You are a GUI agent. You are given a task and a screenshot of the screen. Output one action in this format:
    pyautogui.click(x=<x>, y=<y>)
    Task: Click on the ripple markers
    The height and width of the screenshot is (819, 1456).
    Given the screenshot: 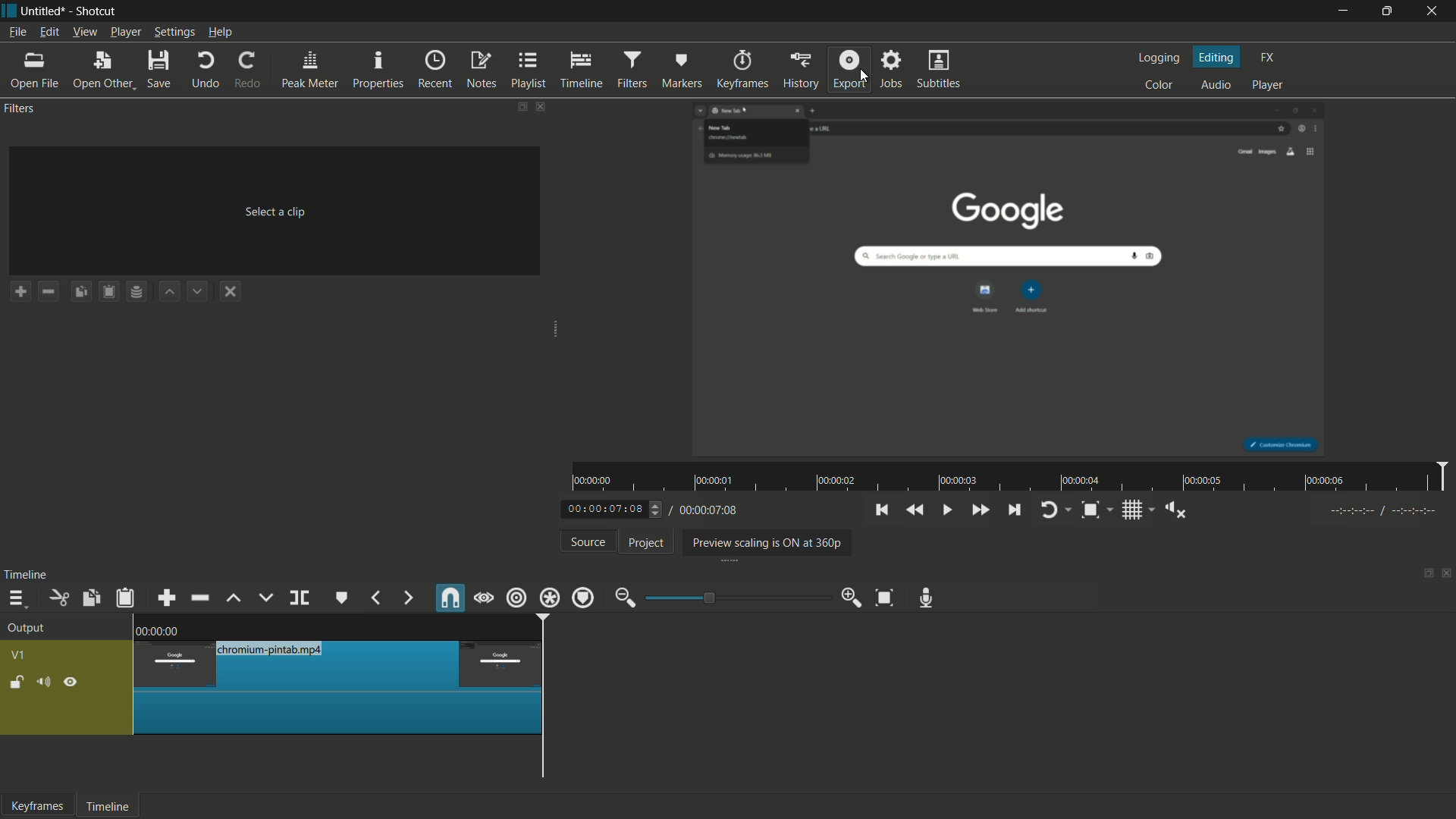 What is the action you would take?
    pyautogui.click(x=583, y=598)
    